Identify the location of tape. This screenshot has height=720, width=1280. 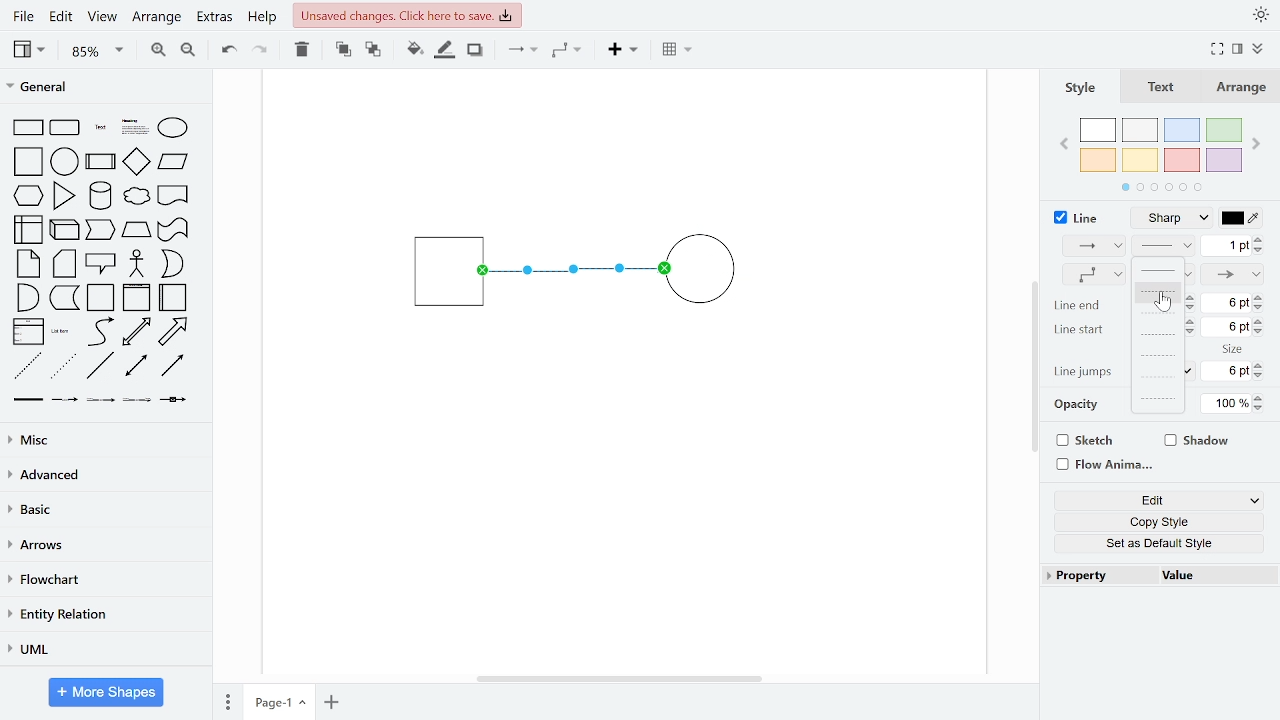
(171, 230).